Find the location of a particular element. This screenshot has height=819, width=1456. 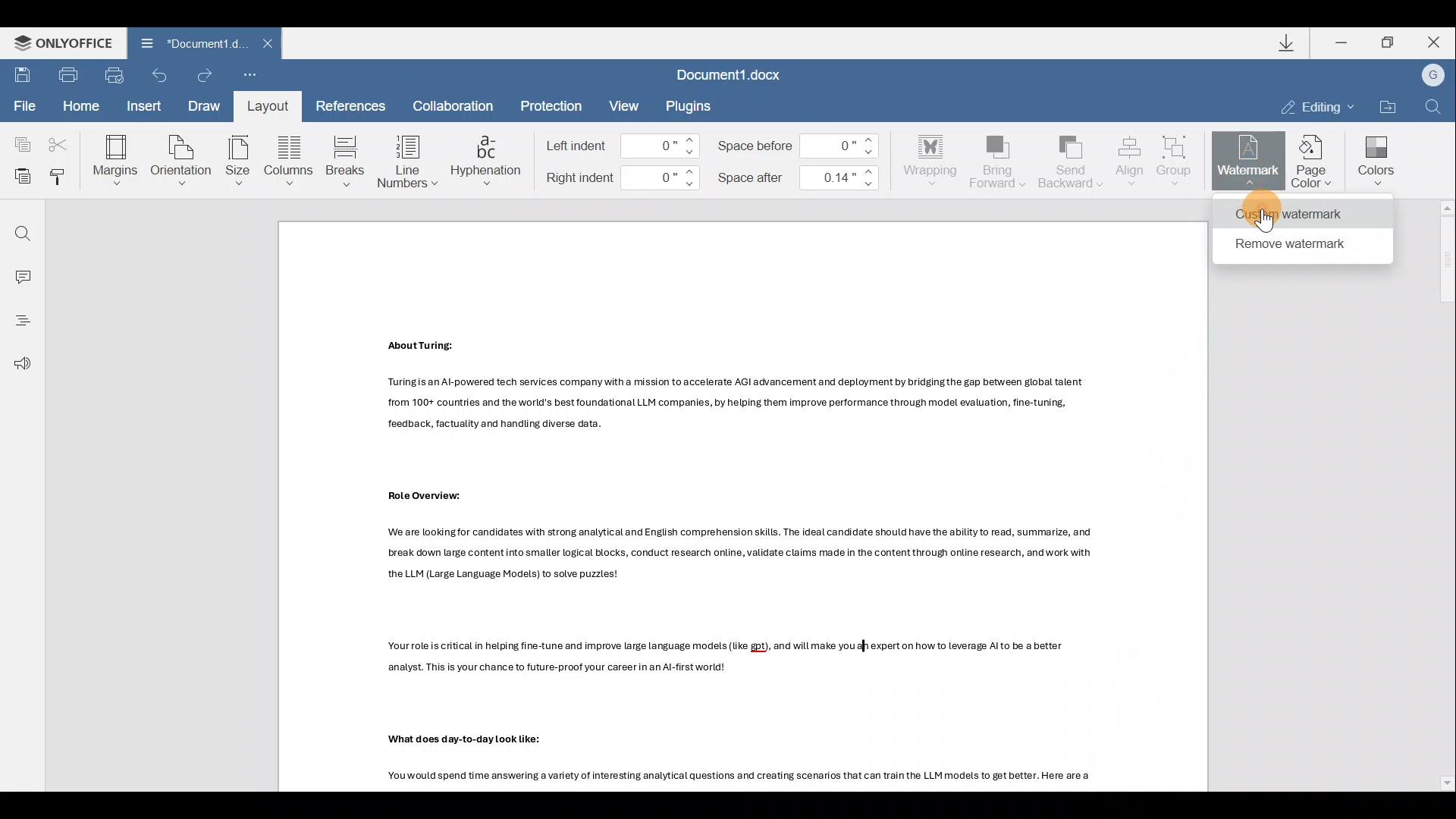

pointer cursor is located at coordinates (1268, 219).